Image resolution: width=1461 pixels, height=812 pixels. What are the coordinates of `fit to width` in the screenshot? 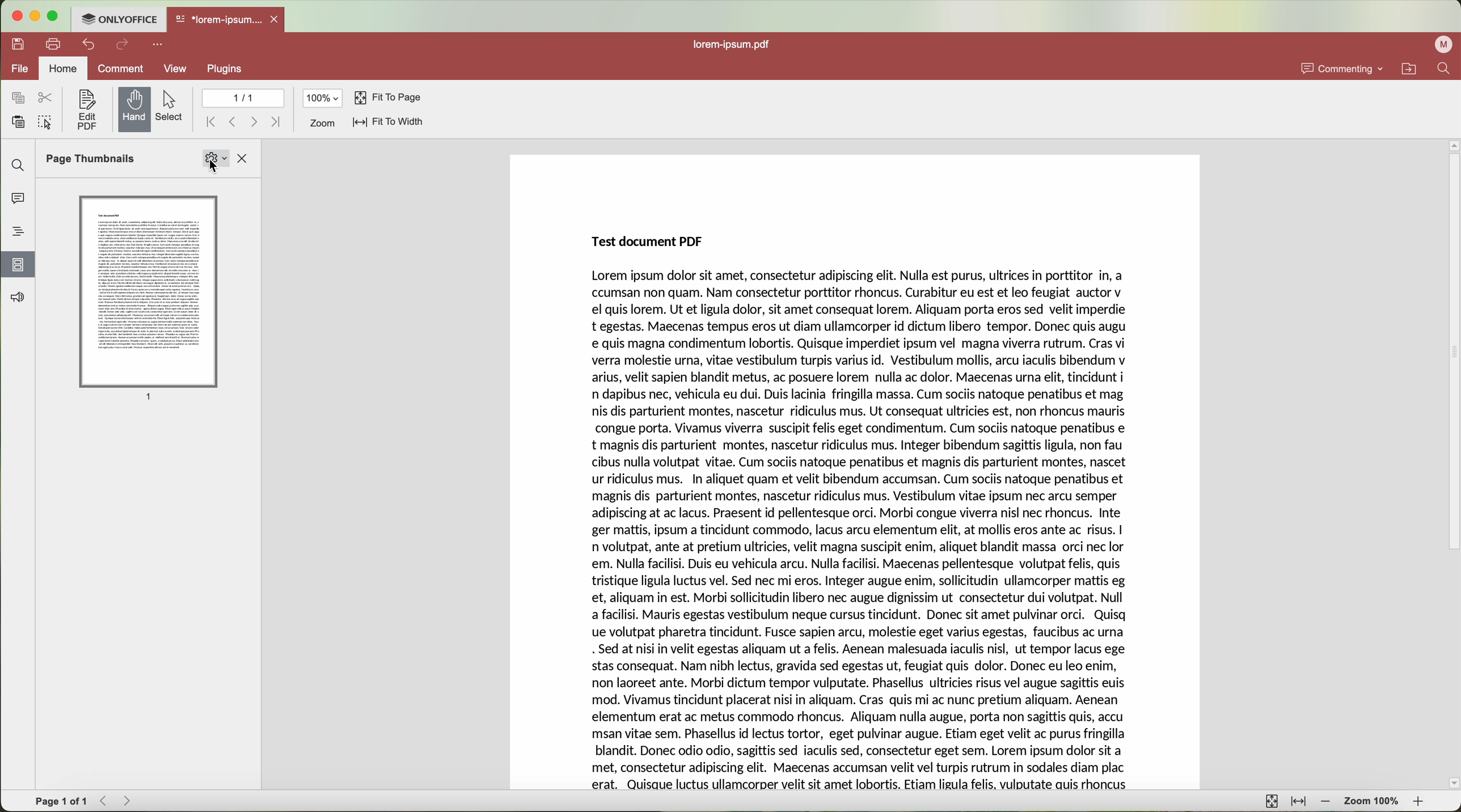 It's located at (390, 123).